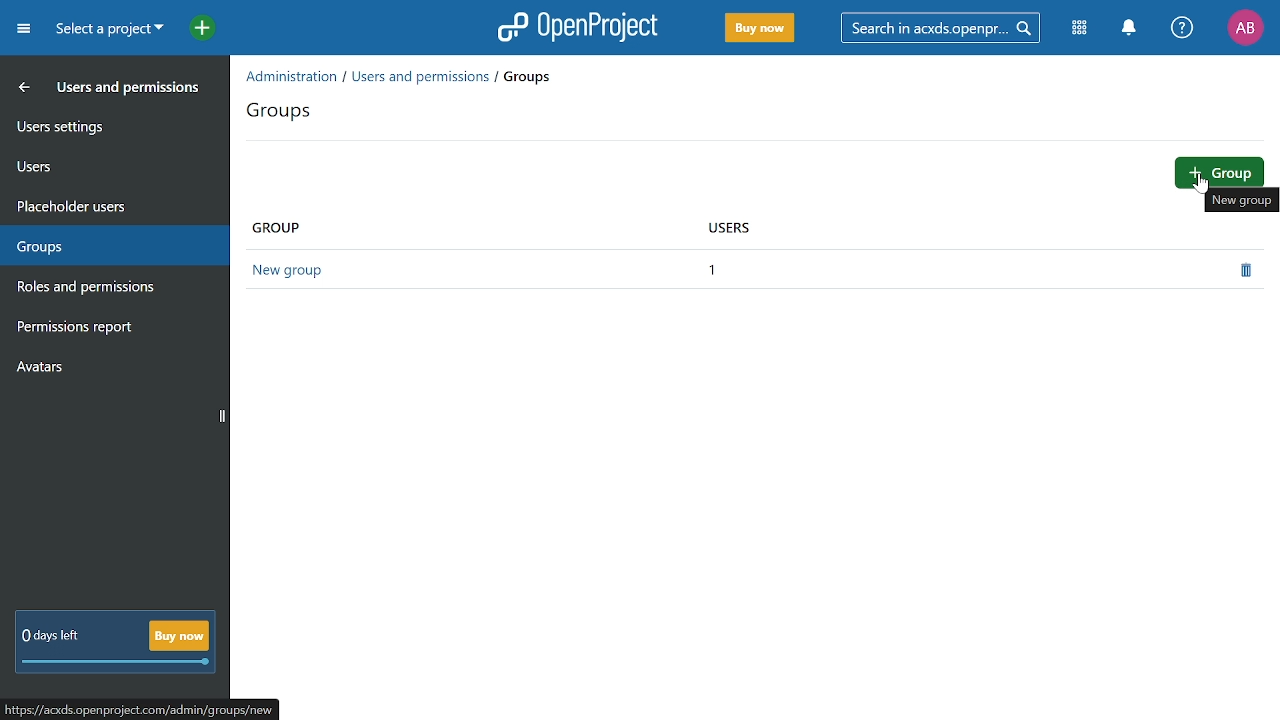 The height and width of the screenshot is (720, 1280). Describe the element at coordinates (579, 26) in the screenshot. I see `OpenProject logo` at that location.